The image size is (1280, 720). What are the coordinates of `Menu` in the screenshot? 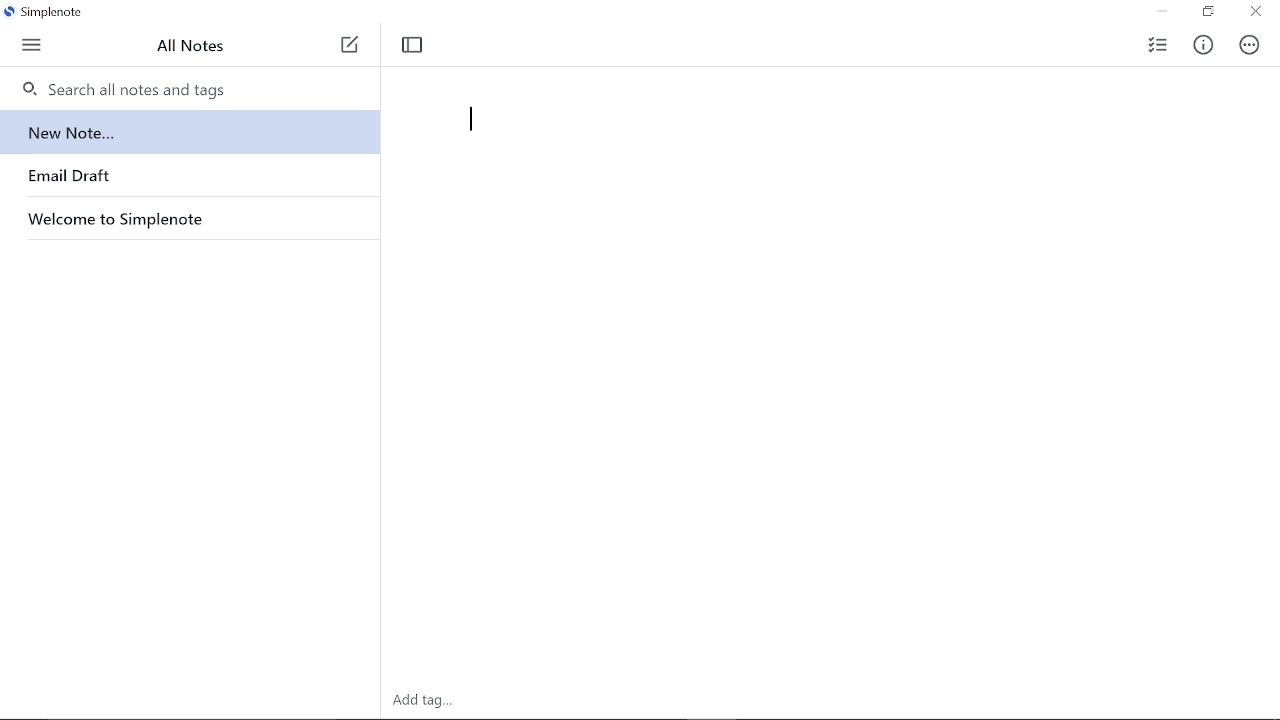 It's located at (34, 46).